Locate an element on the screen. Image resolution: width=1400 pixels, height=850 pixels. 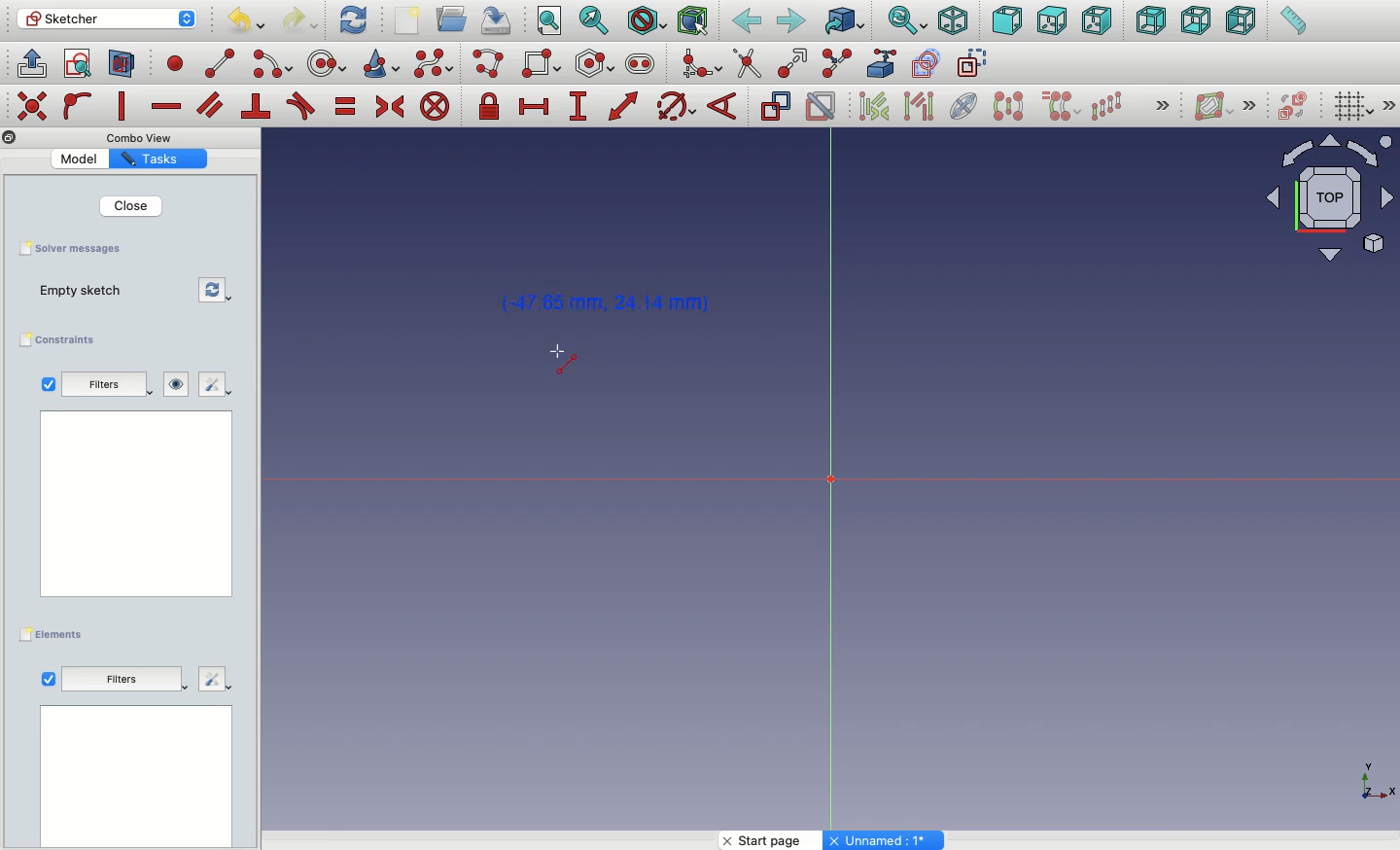
 is located at coordinates (1320, 206).